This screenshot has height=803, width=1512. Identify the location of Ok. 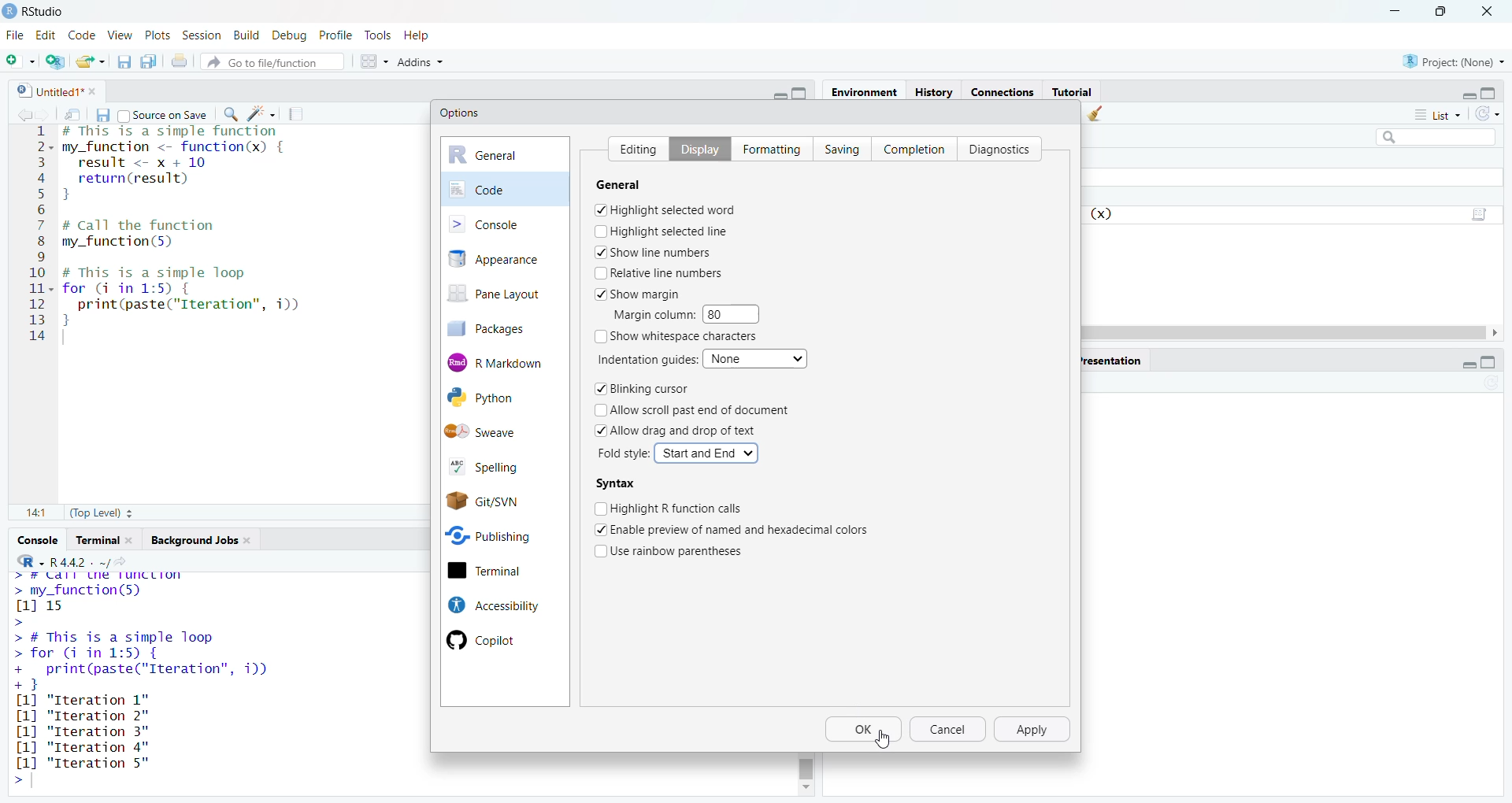
(864, 731).